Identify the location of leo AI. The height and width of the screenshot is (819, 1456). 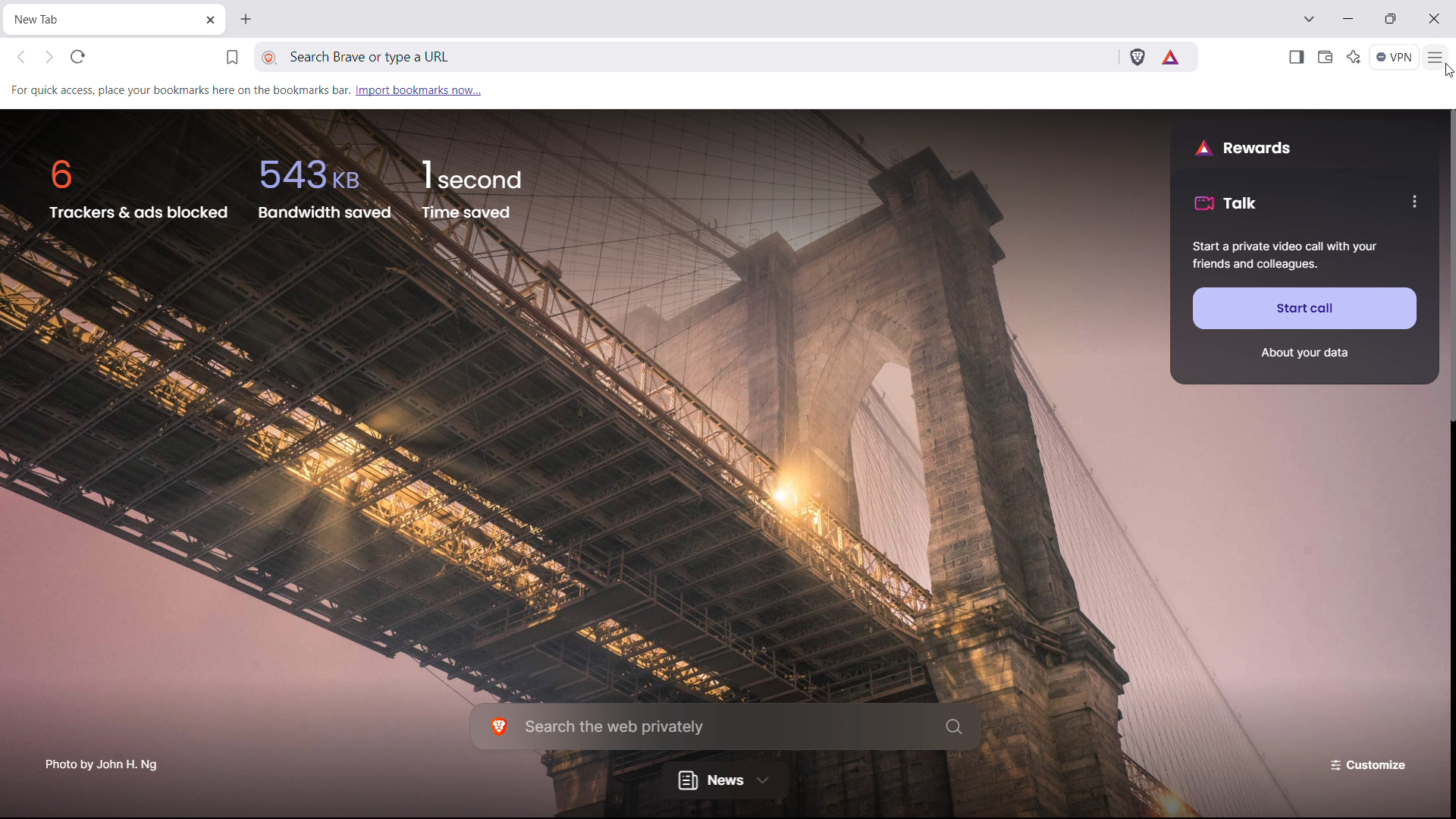
(1354, 57).